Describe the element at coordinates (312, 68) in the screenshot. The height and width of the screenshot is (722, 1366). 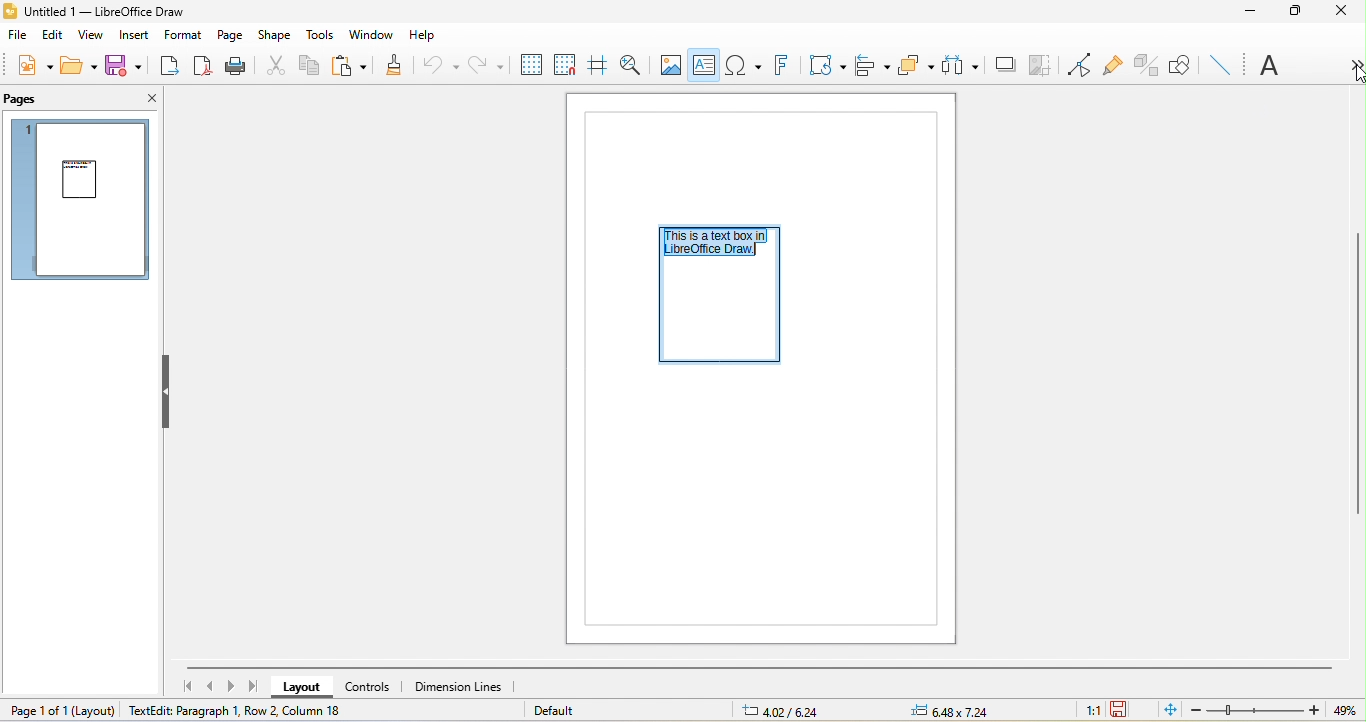
I see `copy` at that location.